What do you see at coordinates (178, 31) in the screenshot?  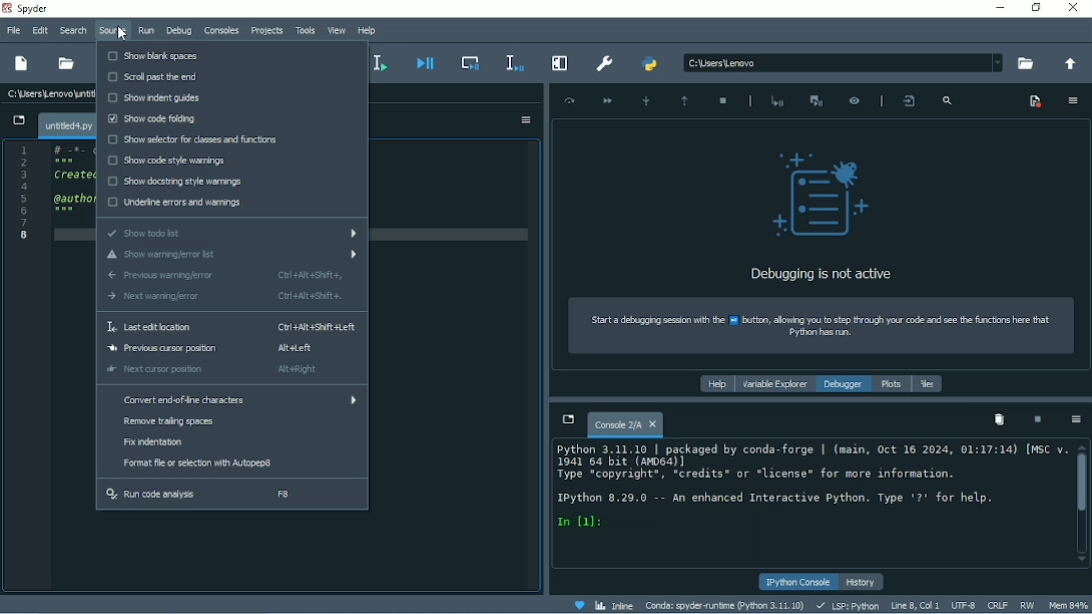 I see `Debug` at bounding box center [178, 31].